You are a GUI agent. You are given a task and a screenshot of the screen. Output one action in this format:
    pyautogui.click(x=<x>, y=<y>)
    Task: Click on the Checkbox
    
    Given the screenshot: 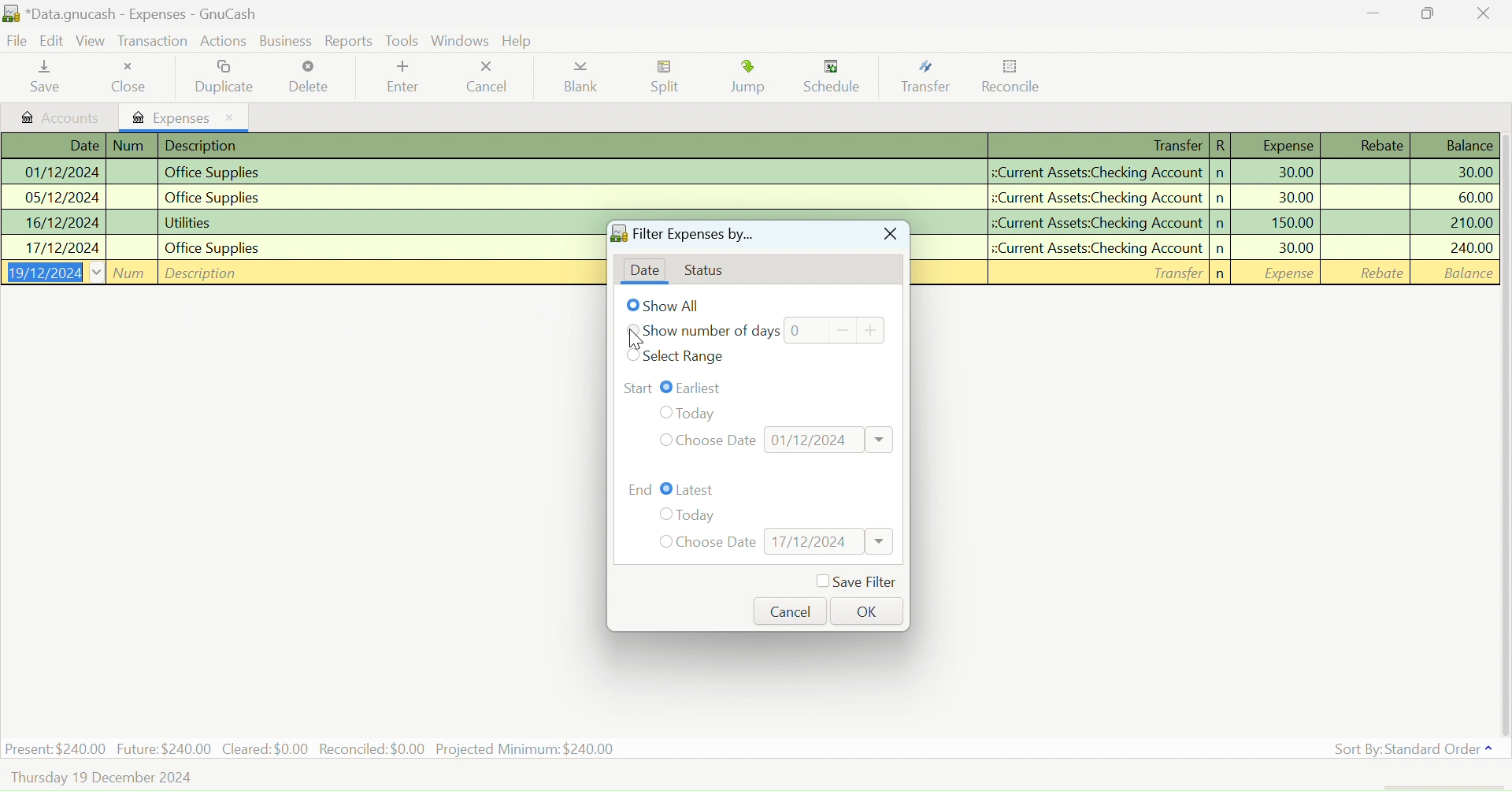 What is the action you would take?
    pyautogui.click(x=667, y=387)
    